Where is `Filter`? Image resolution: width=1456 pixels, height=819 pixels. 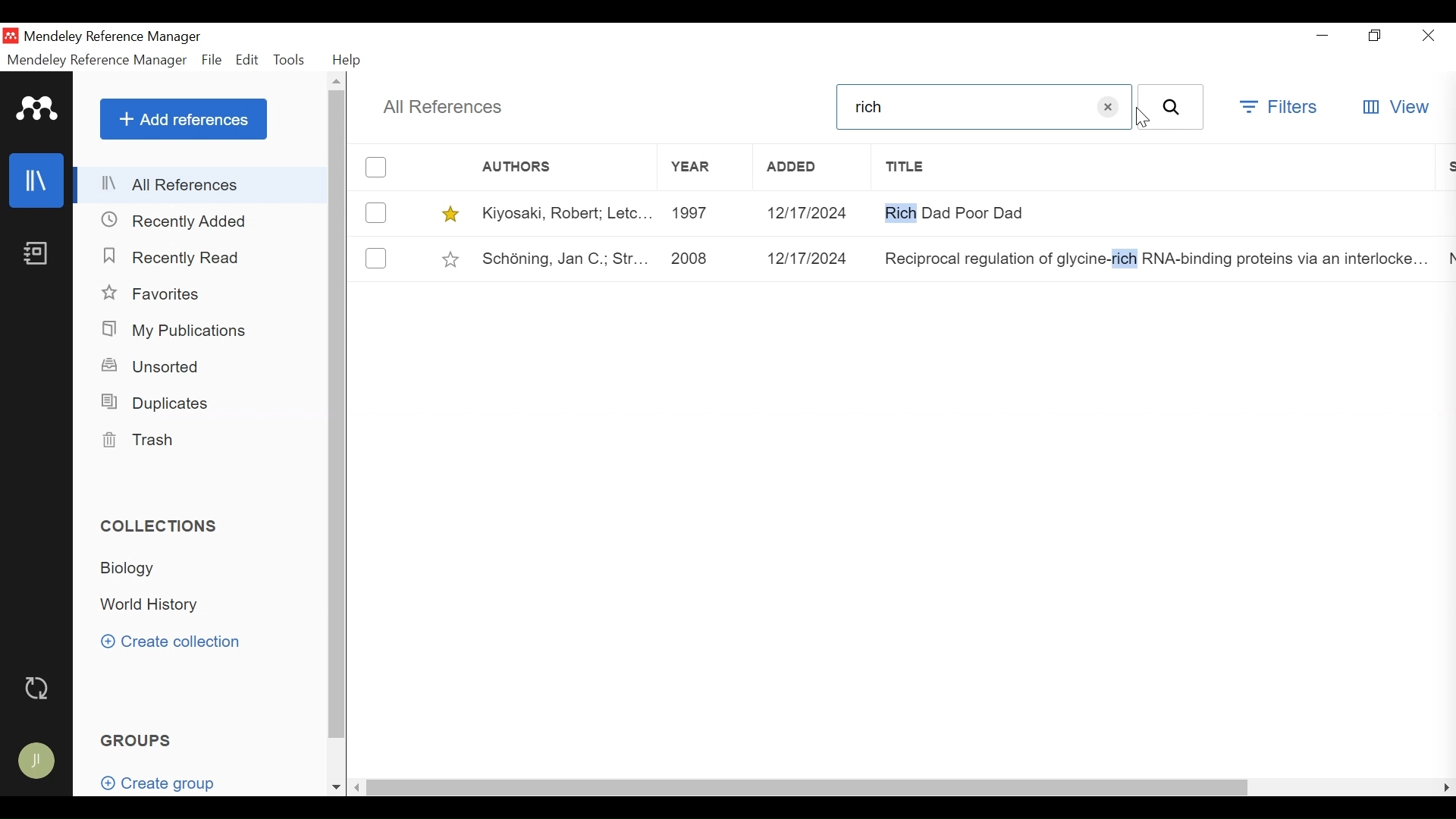
Filter is located at coordinates (1277, 106).